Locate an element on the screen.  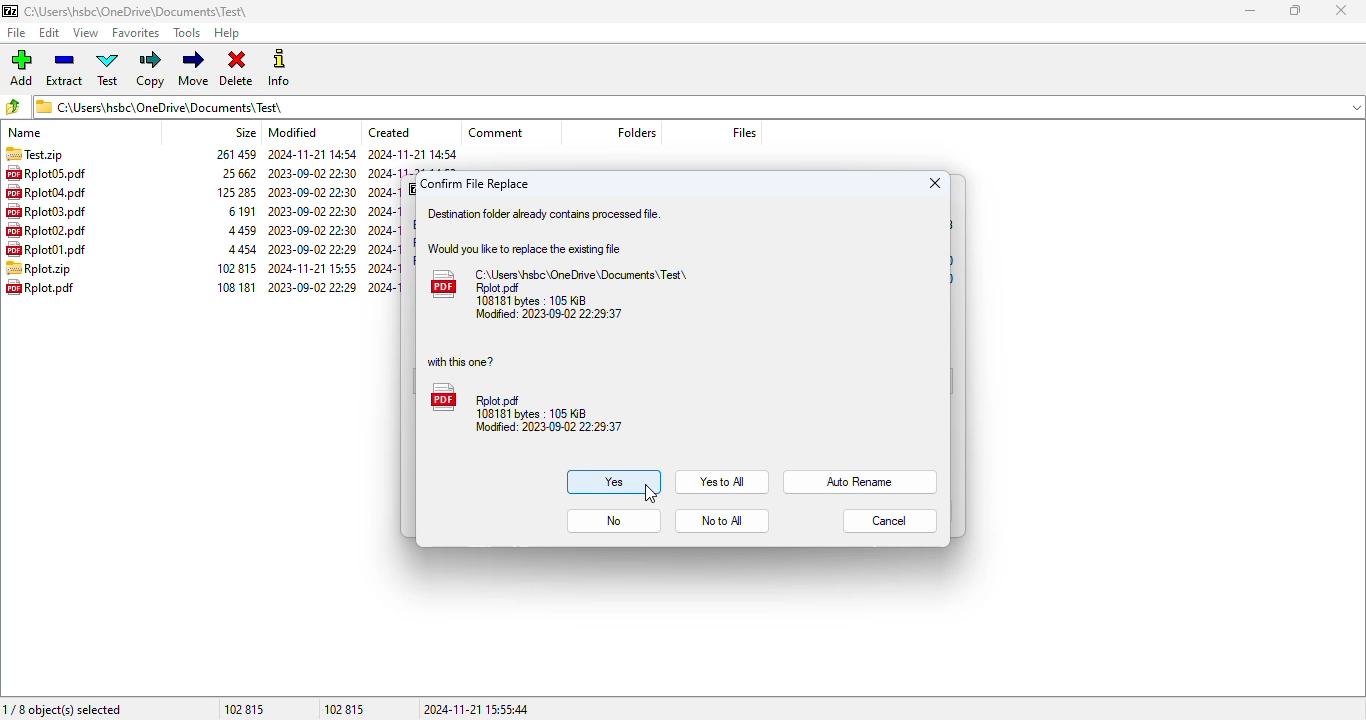
add is located at coordinates (21, 66).